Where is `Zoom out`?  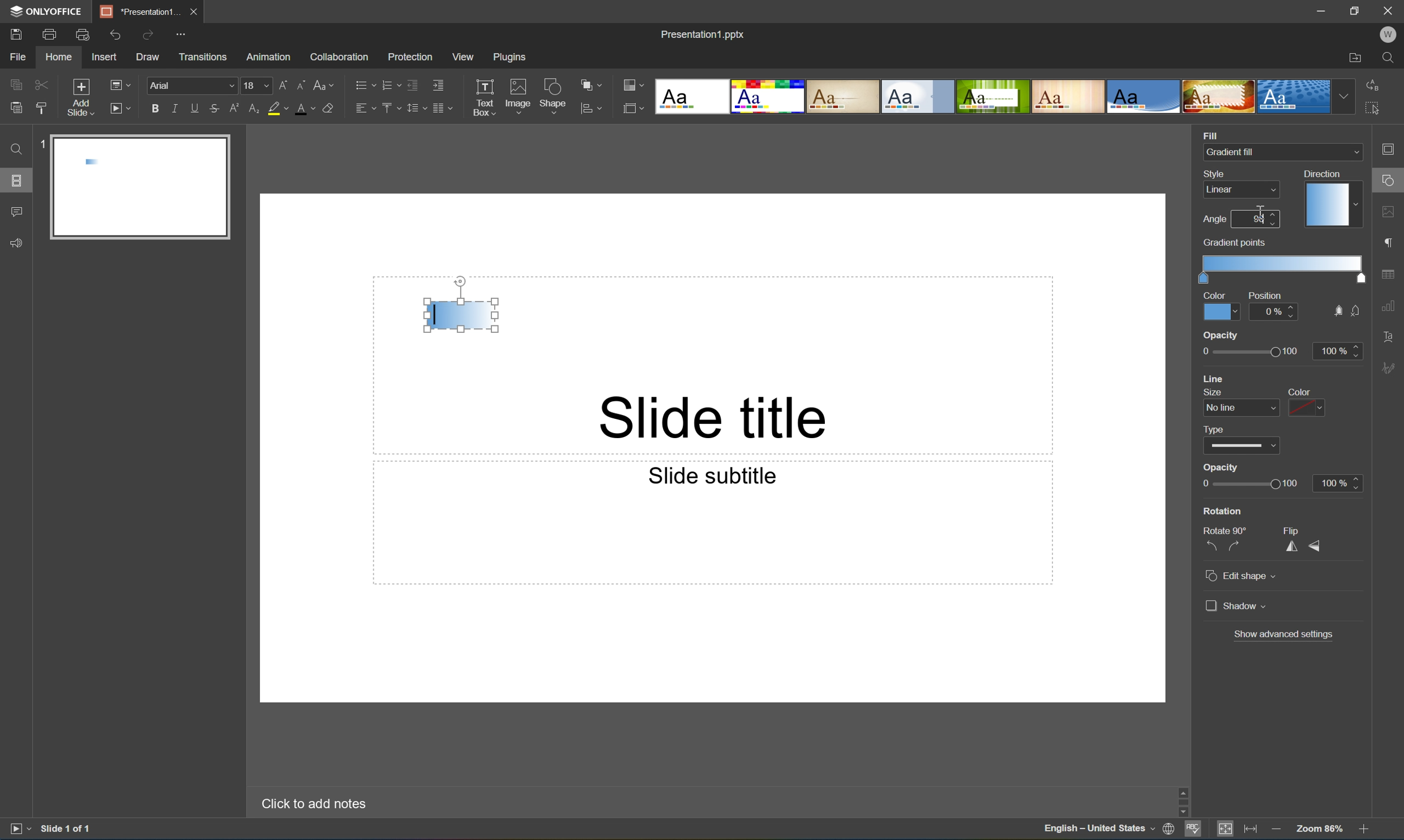
Zoom out is located at coordinates (1275, 829).